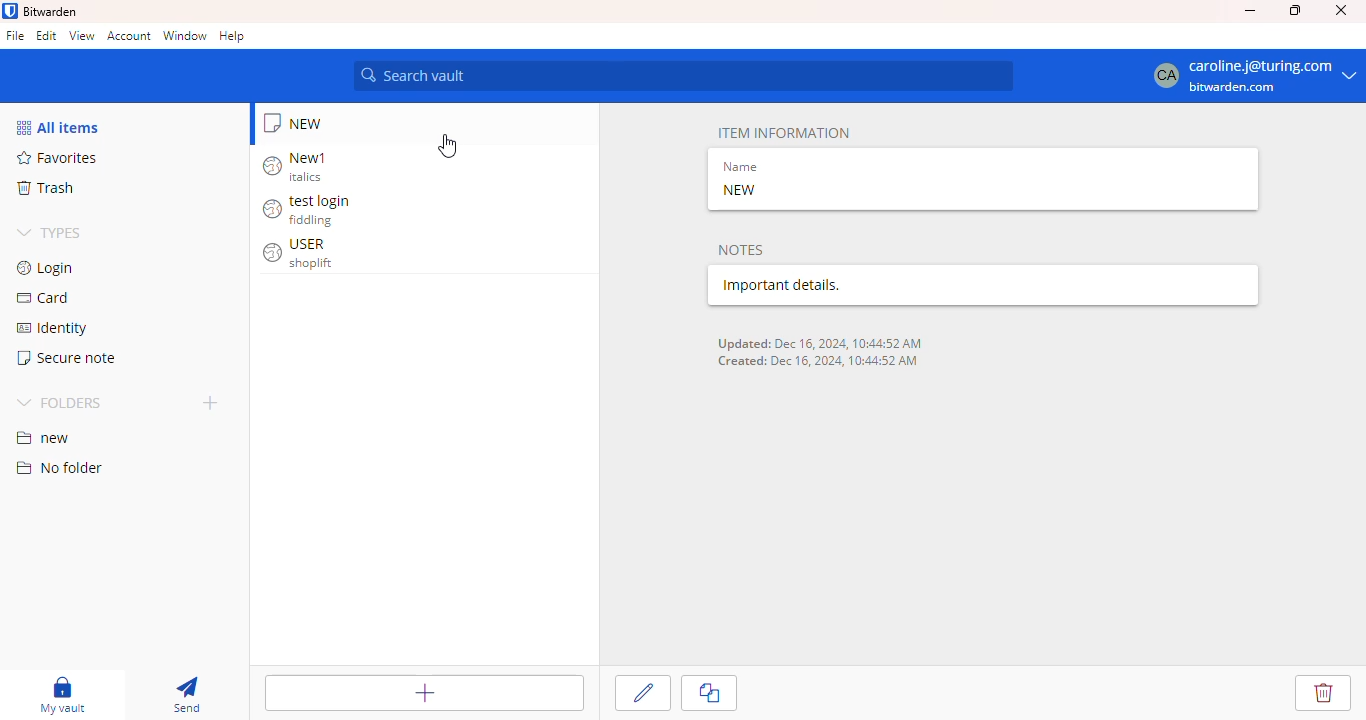  I want to click on types, so click(50, 233).